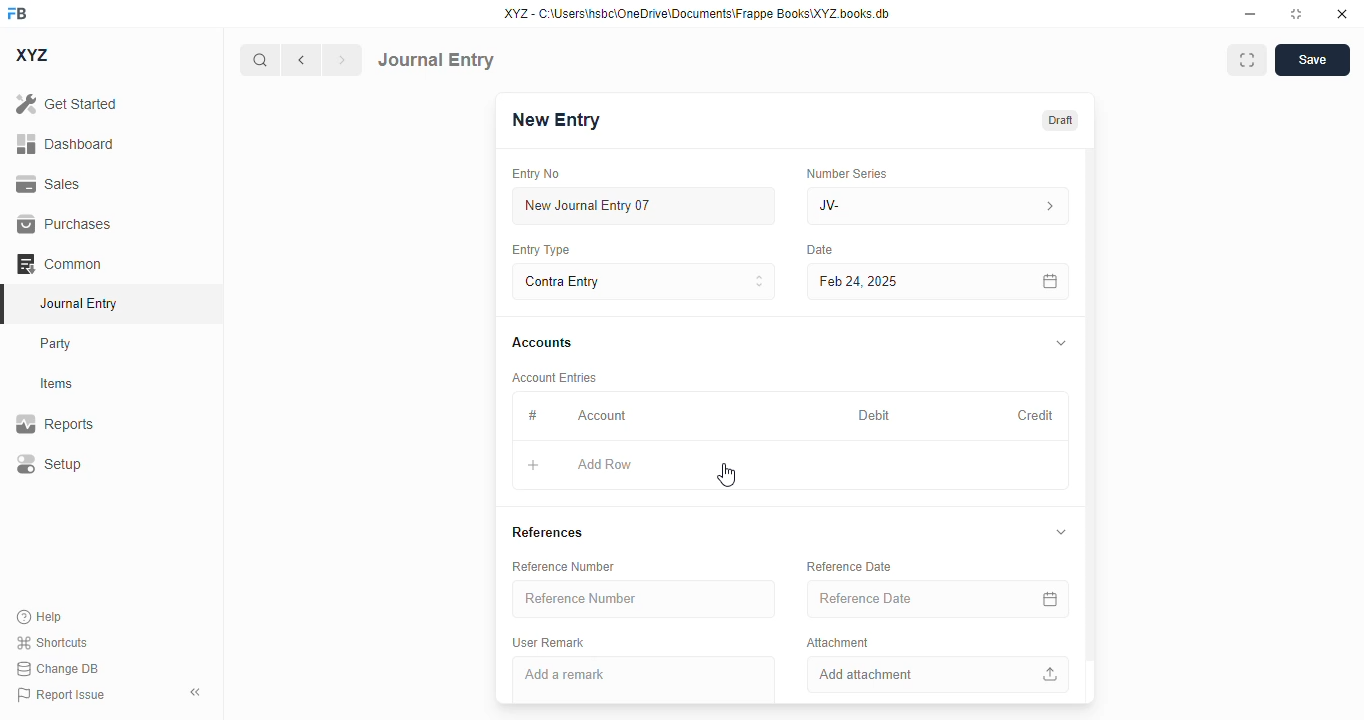 Image resolution: width=1364 pixels, height=720 pixels. I want to click on cursor, so click(727, 475).